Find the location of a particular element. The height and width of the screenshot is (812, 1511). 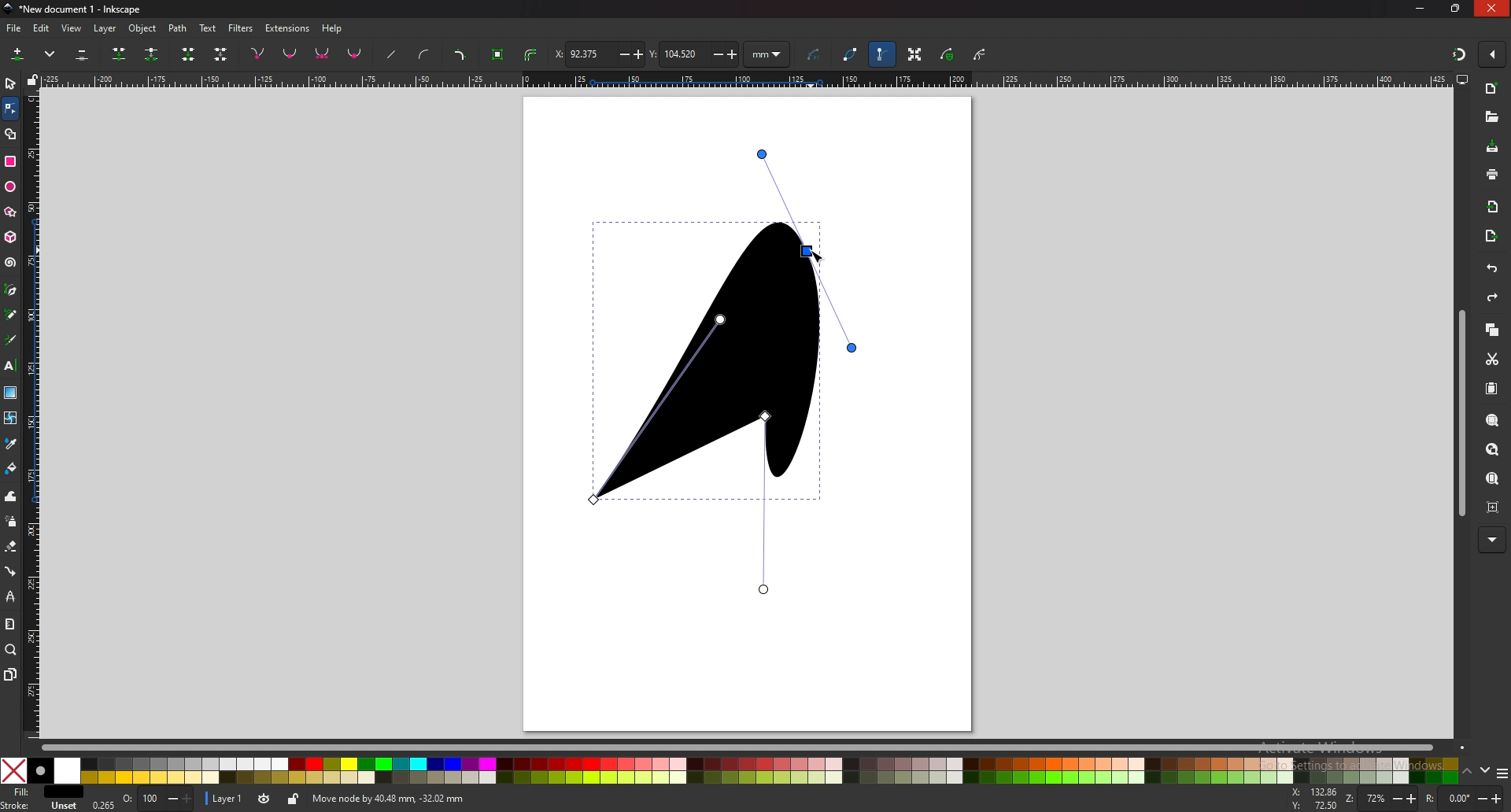

delete selected nodes is located at coordinates (83, 54).